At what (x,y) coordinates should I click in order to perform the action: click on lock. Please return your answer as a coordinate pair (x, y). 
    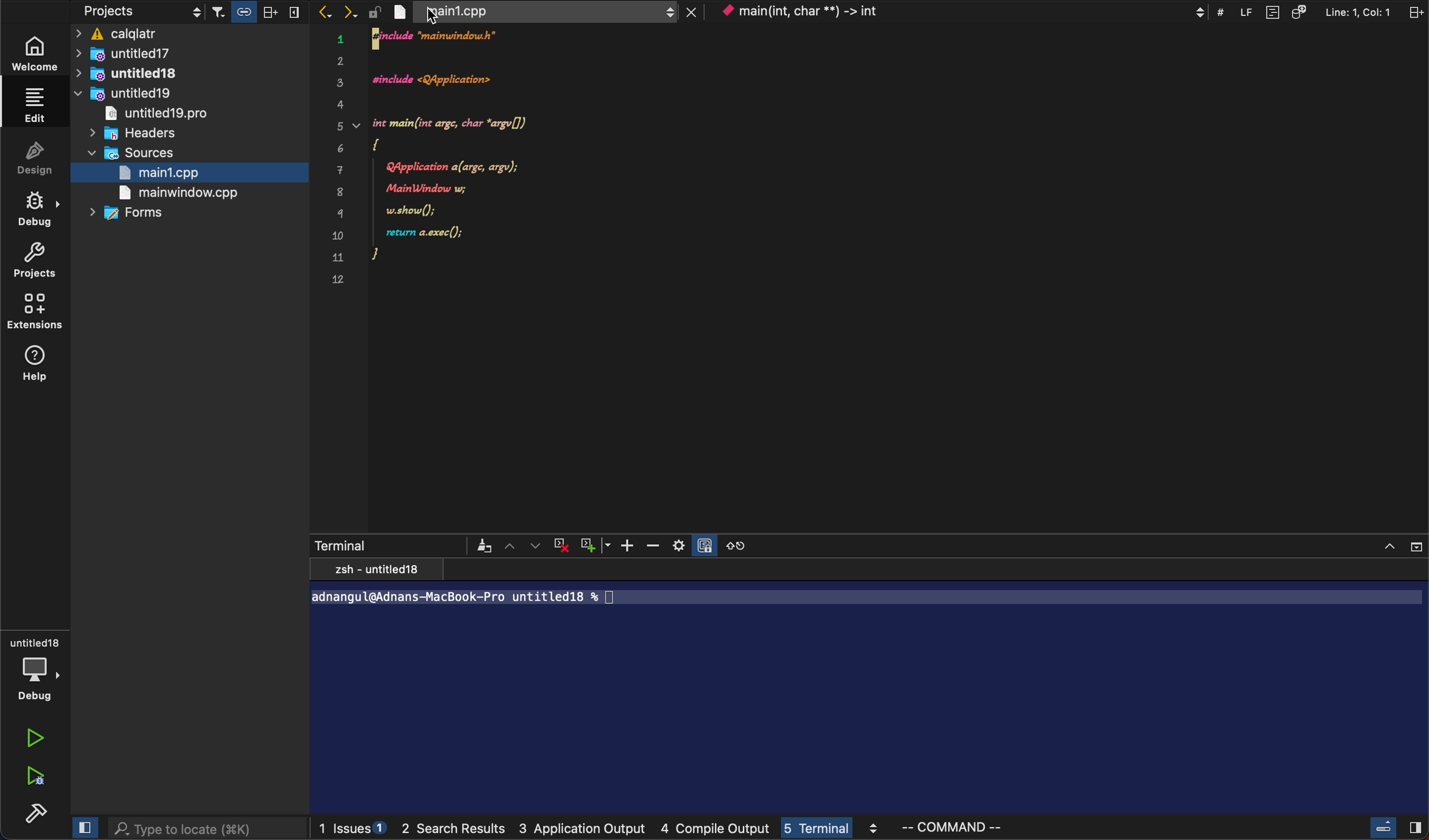
    Looking at the image, I should click on (378, 12).